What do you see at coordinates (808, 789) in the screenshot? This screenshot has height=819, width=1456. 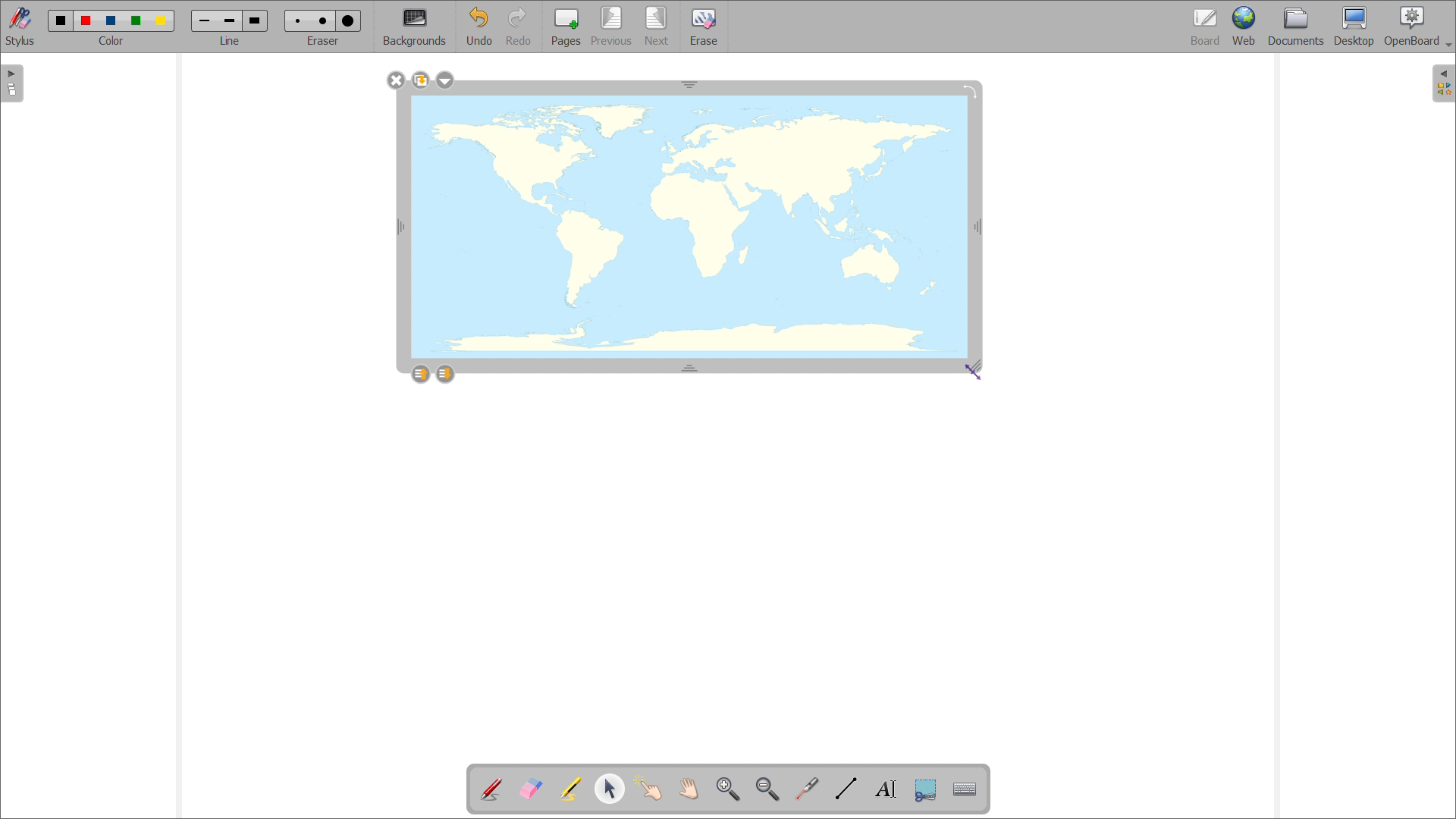 I see `virtual laser pointer` at bounding box center [808, 789].